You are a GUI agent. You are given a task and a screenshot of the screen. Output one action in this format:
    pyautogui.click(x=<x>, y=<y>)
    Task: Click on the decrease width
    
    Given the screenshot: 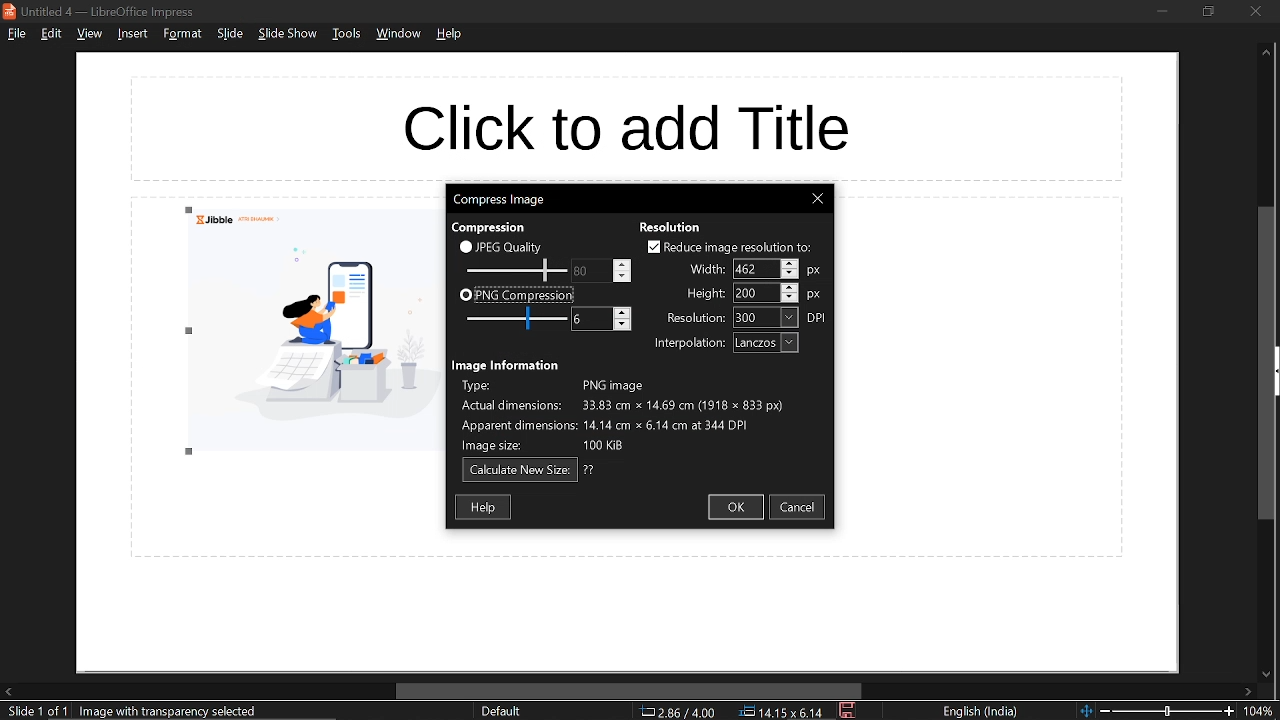 What is the action you would take?
    pyautogui.click(x=790, y=274)
    